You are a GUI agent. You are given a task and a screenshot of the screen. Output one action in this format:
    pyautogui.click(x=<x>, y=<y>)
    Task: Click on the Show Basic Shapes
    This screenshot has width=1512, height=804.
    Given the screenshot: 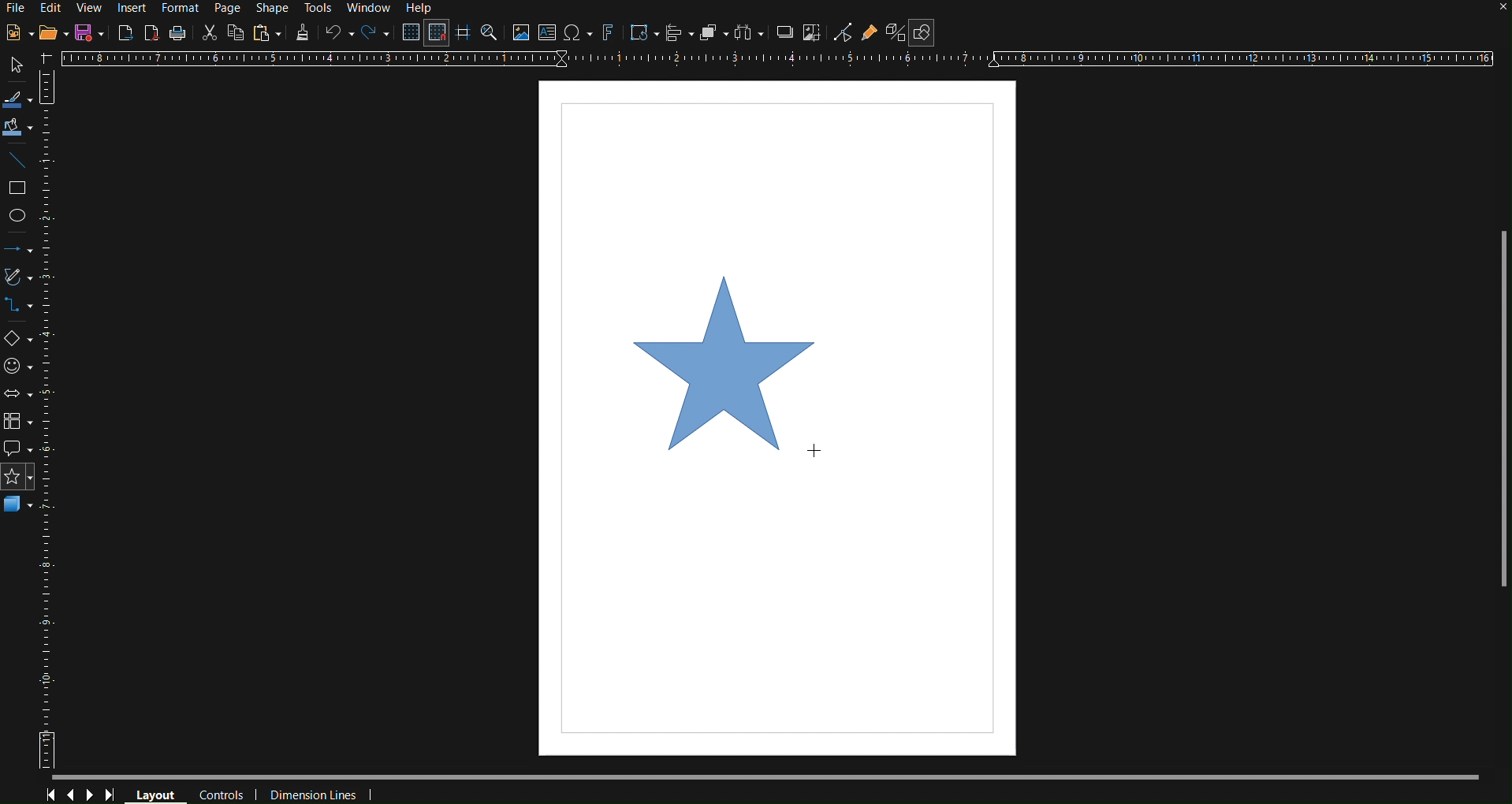 What is the action you would take?
    pyautogui.click(x=923, y=32)
    